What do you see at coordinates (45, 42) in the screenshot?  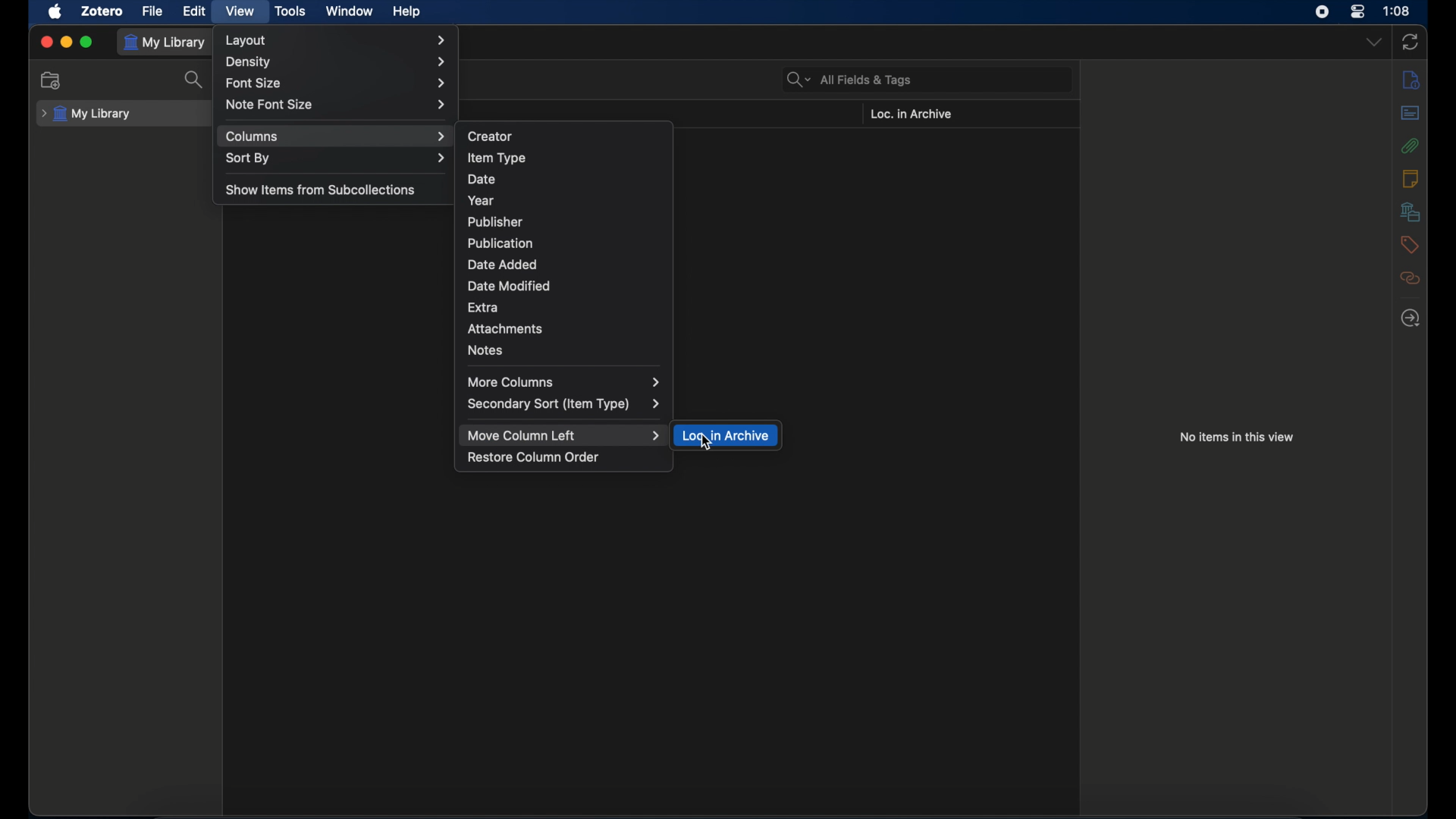 I see `close` at bounding box center [45, 42].